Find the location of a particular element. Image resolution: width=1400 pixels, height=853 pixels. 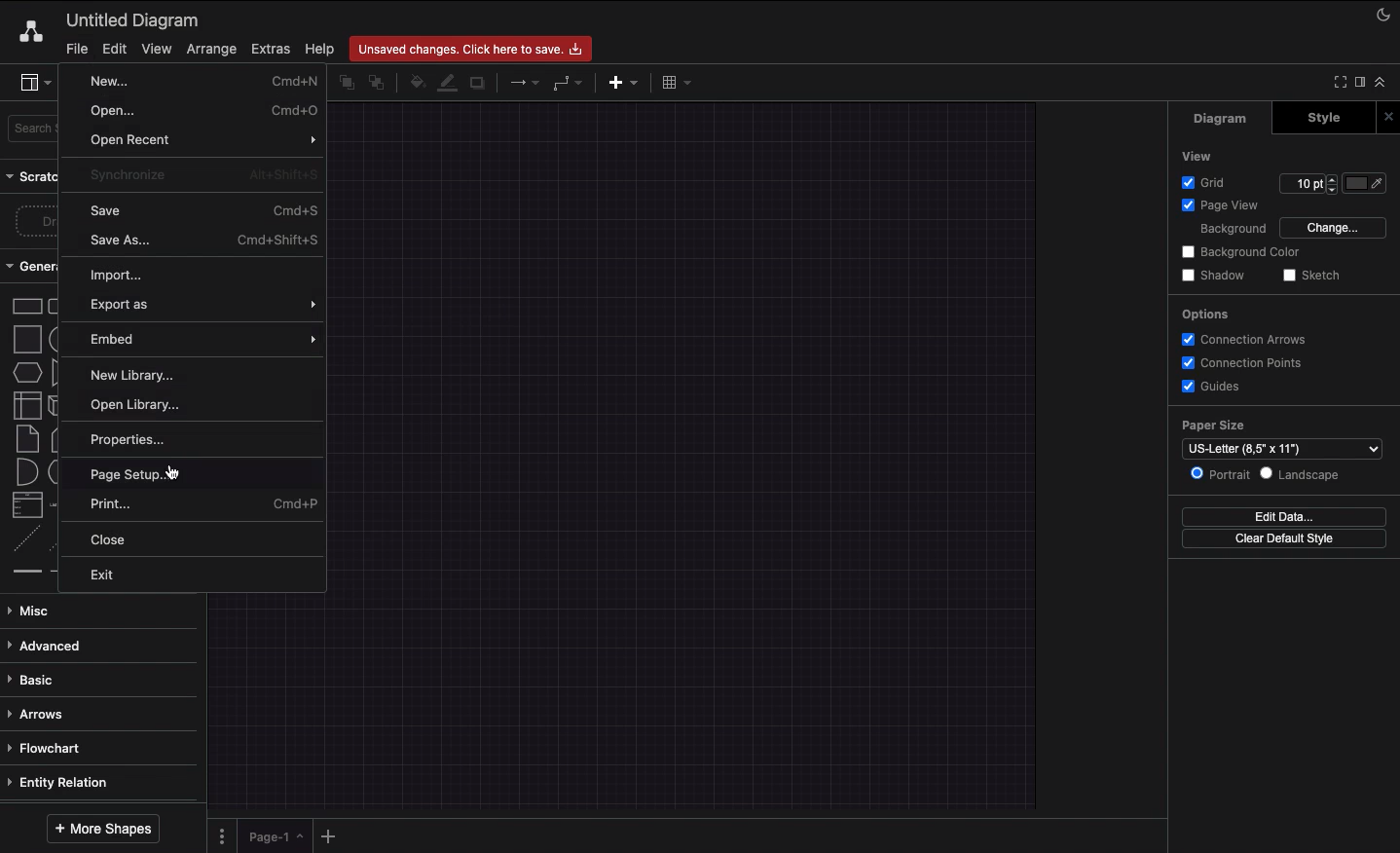

Open recent is located at coordinates (203, 141).